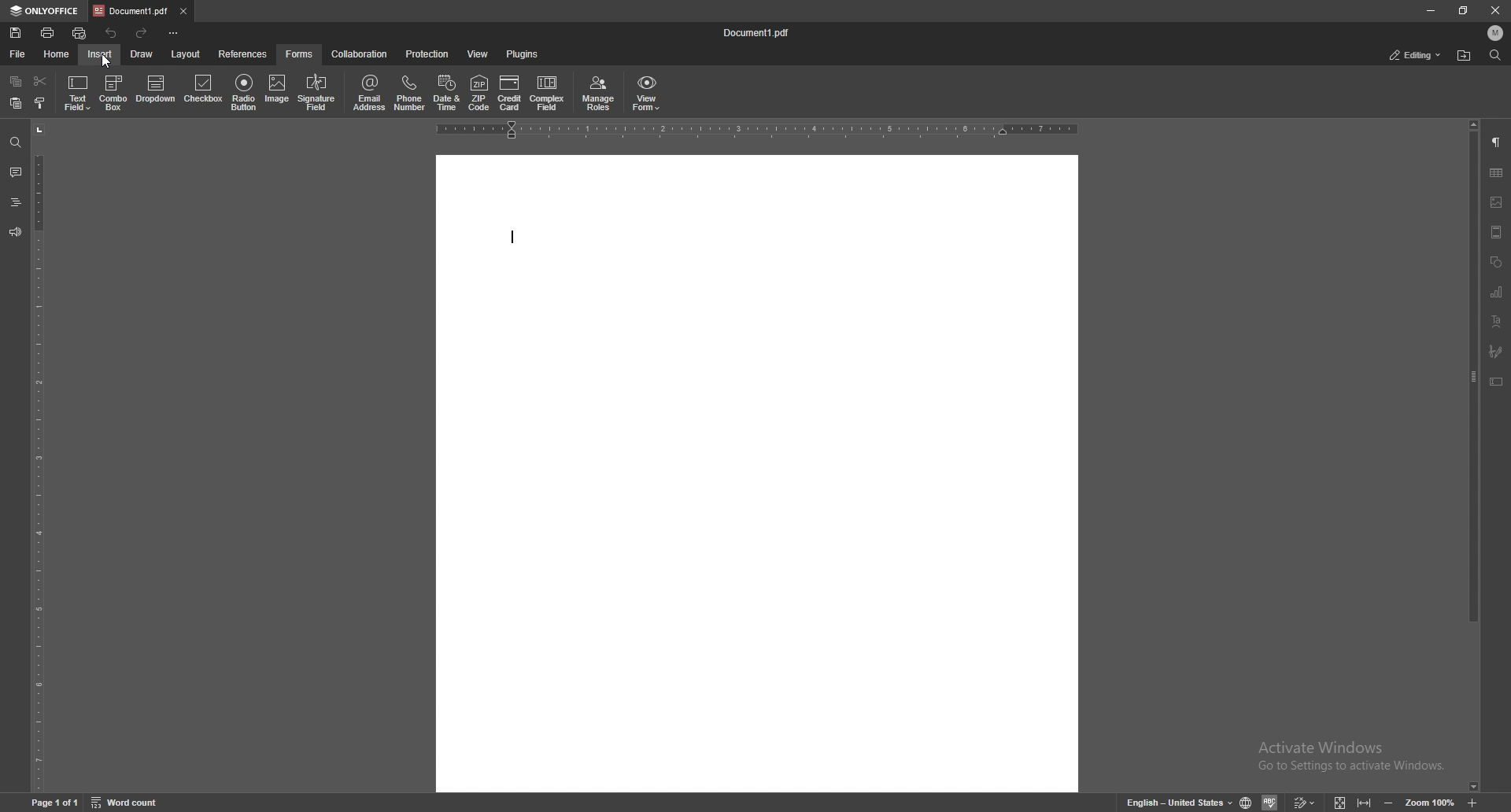 The height and width of the screenshot is (812, 1511). What do you see at coordinates (15, 141) in the screenshot?
I see `find` at bounding box center [15, 141].